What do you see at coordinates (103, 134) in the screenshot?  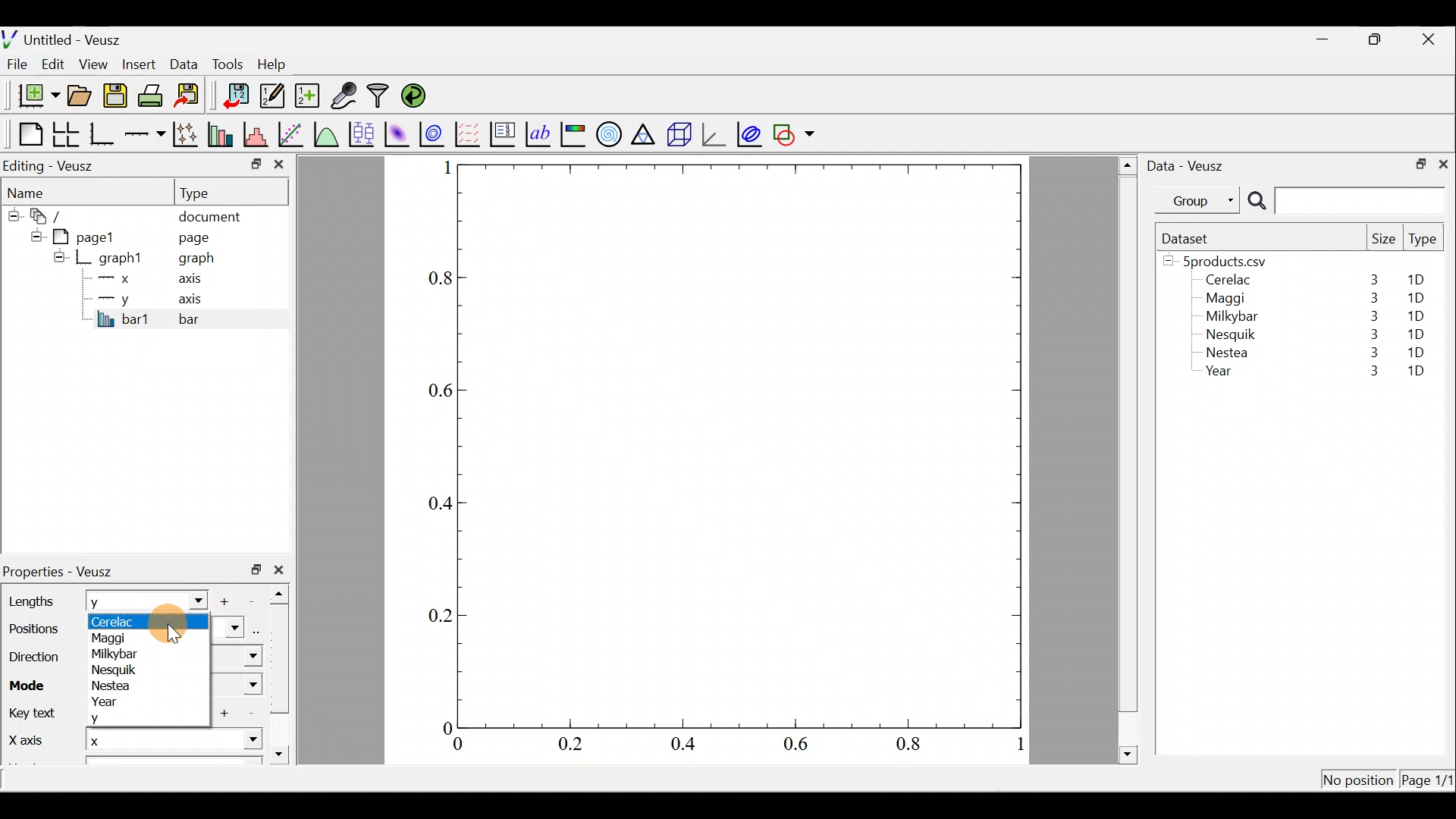 I see `Base graph` at bounding box center [103, 134].